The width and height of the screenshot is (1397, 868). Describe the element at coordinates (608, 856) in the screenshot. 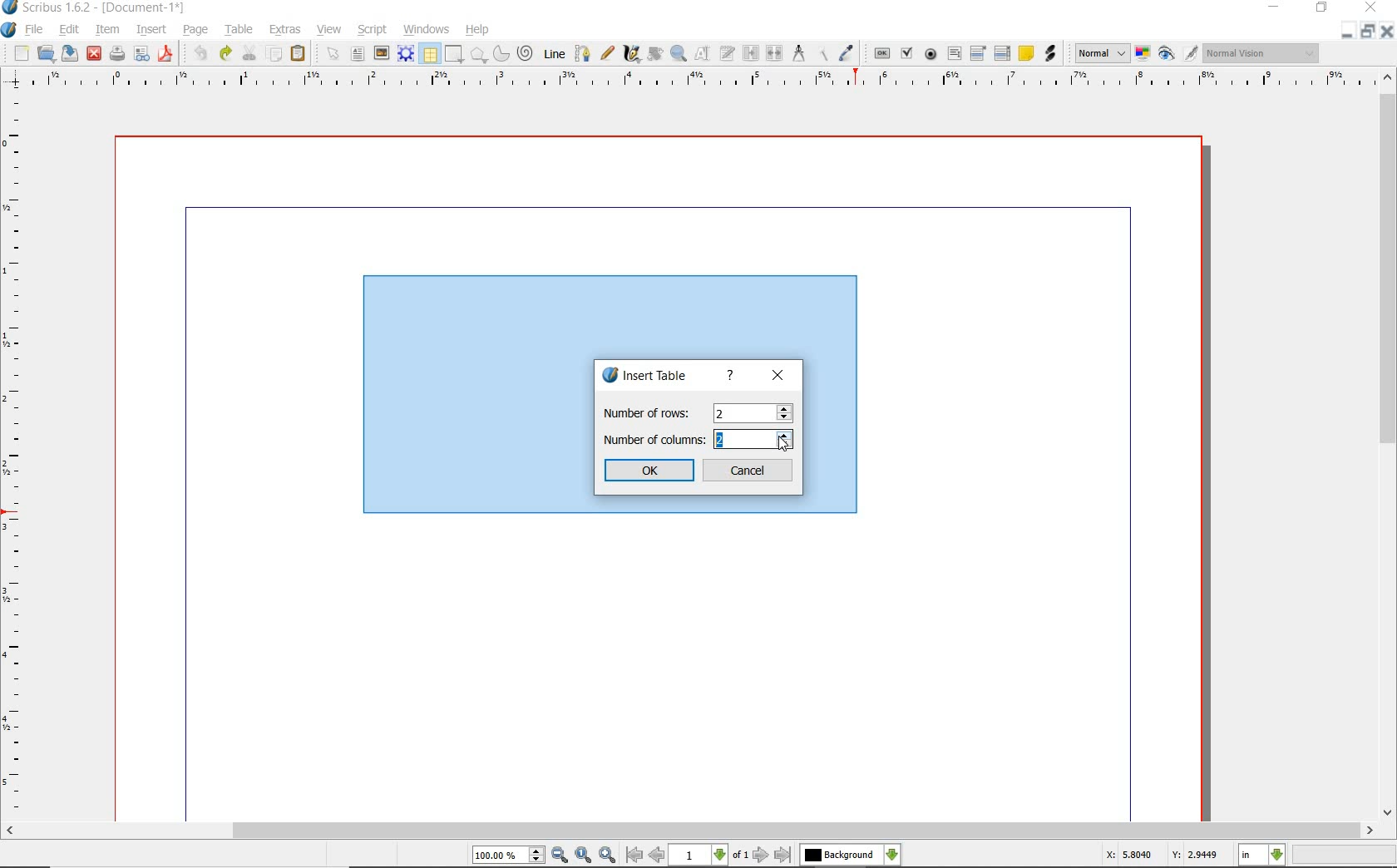

I see `zoom in` at that location.